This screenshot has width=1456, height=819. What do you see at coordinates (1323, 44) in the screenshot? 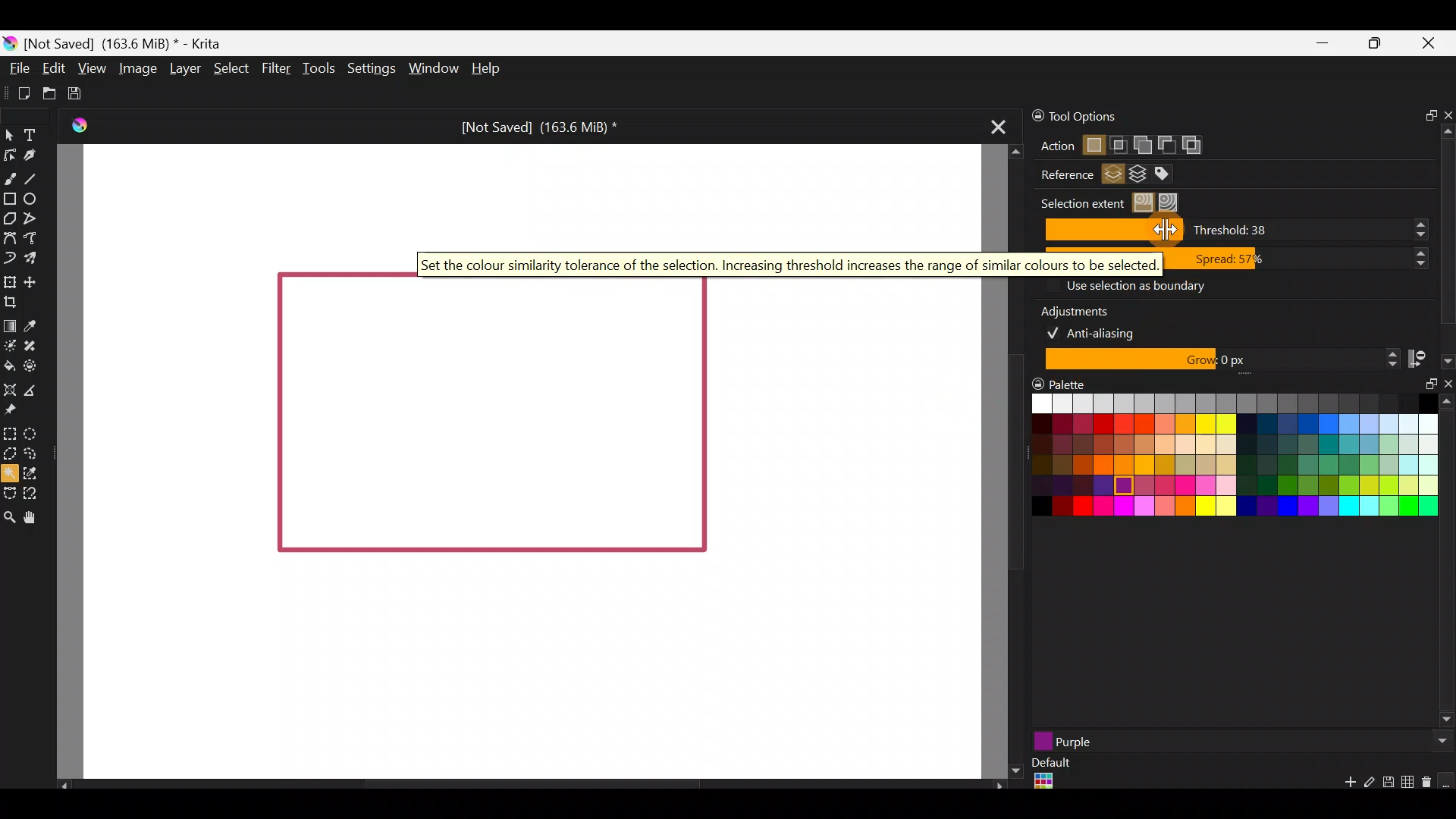
I see `Minimize` at bounding box center [1323, 44].